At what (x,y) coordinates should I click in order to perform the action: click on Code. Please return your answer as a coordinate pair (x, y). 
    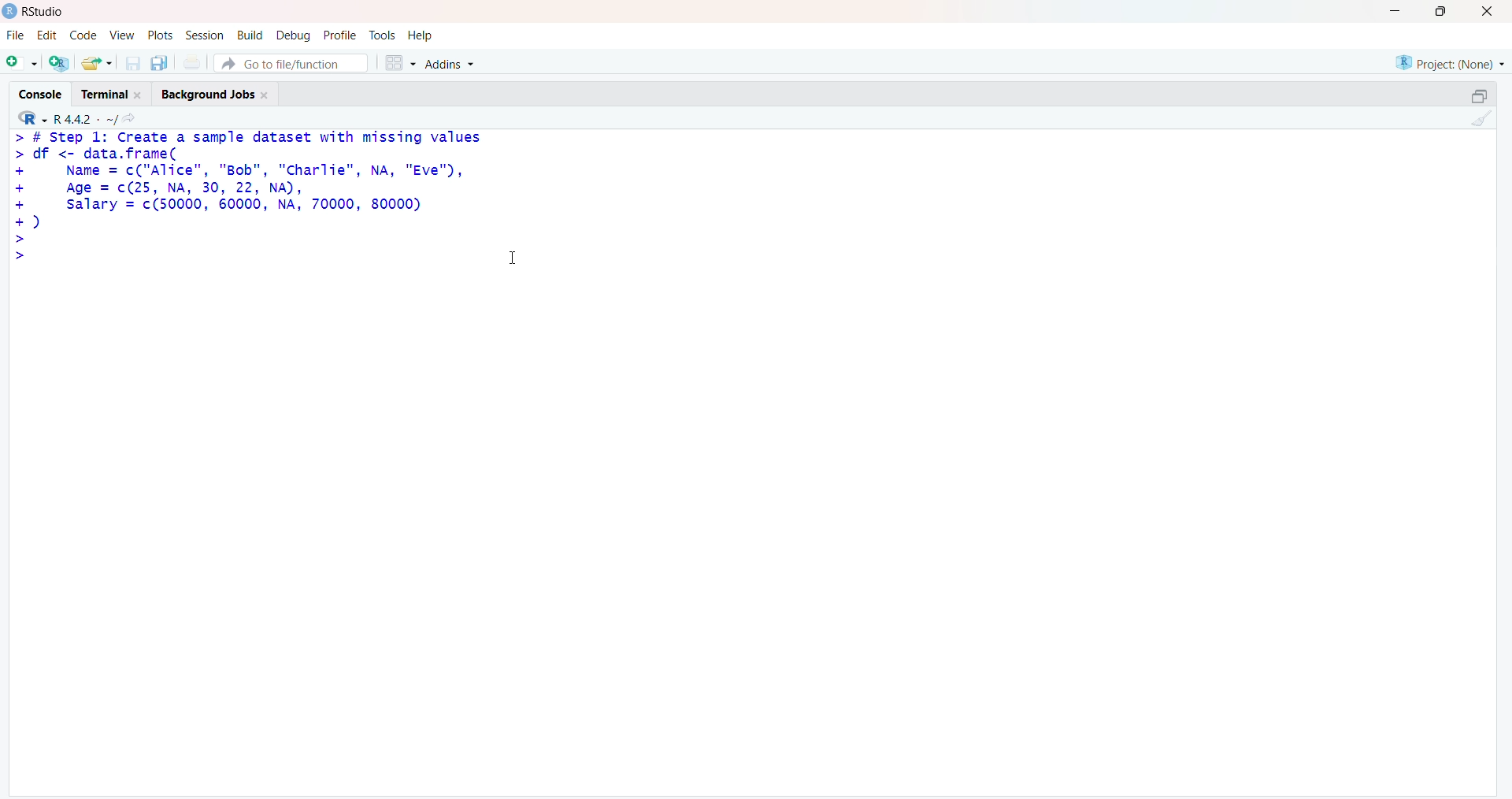
    Looking at the image, I should click on (80, 35).